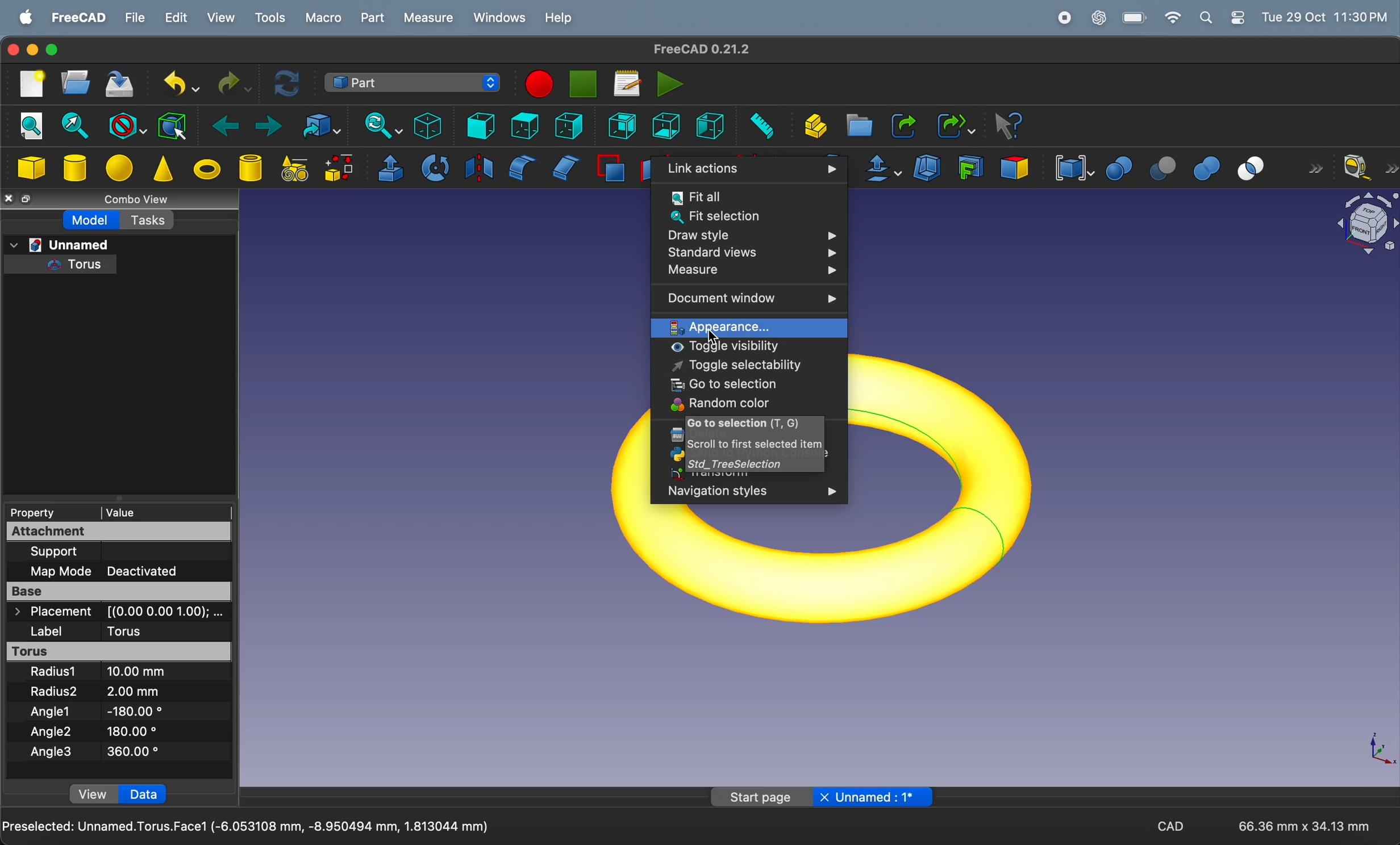 This screenshot has width=1400, height=845. Describe the element at coordinates (1314, 167) in the screenshot. I see `forward` at that location.